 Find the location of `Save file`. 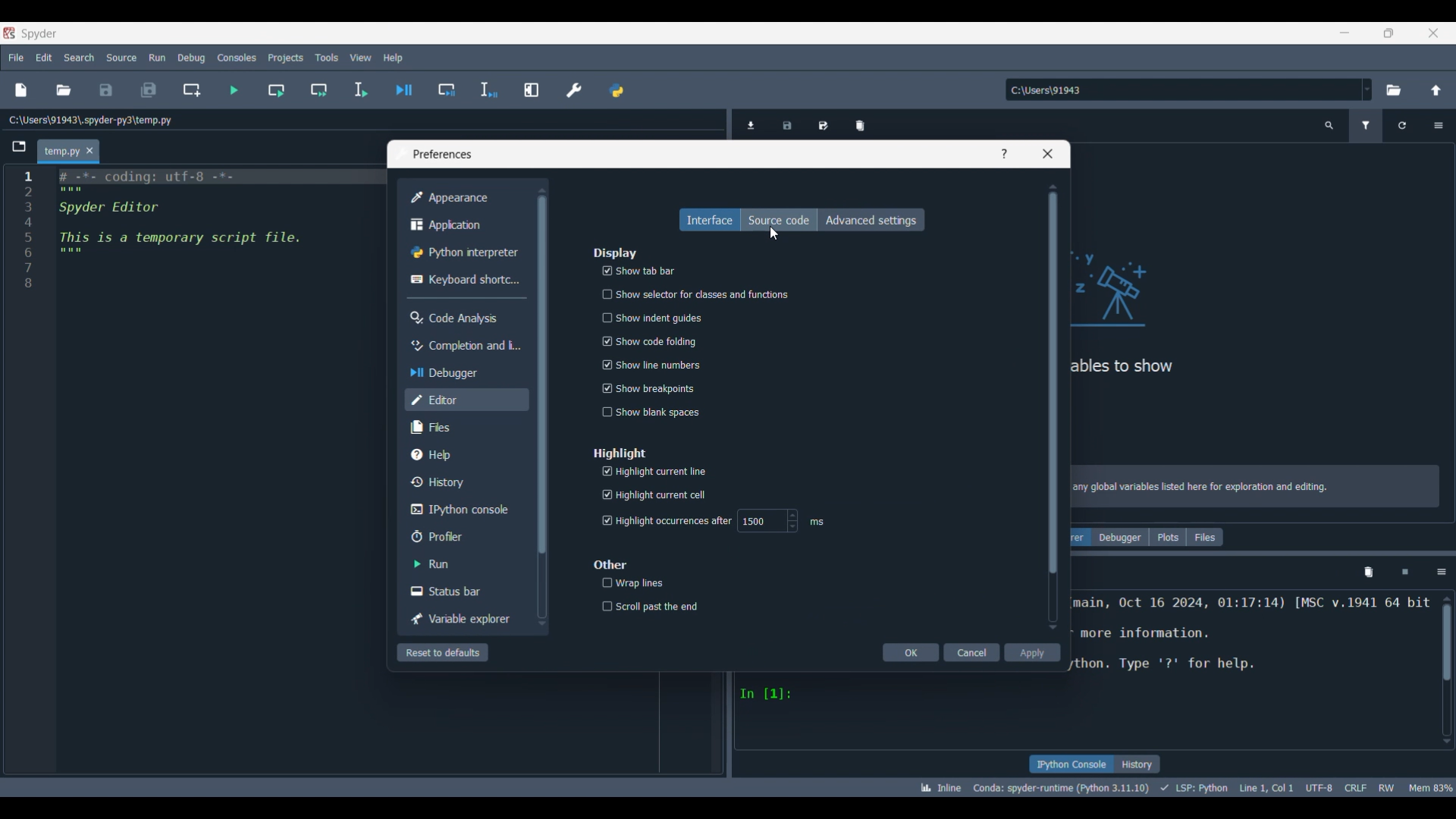

Save file is located at coordinates (106, 90).